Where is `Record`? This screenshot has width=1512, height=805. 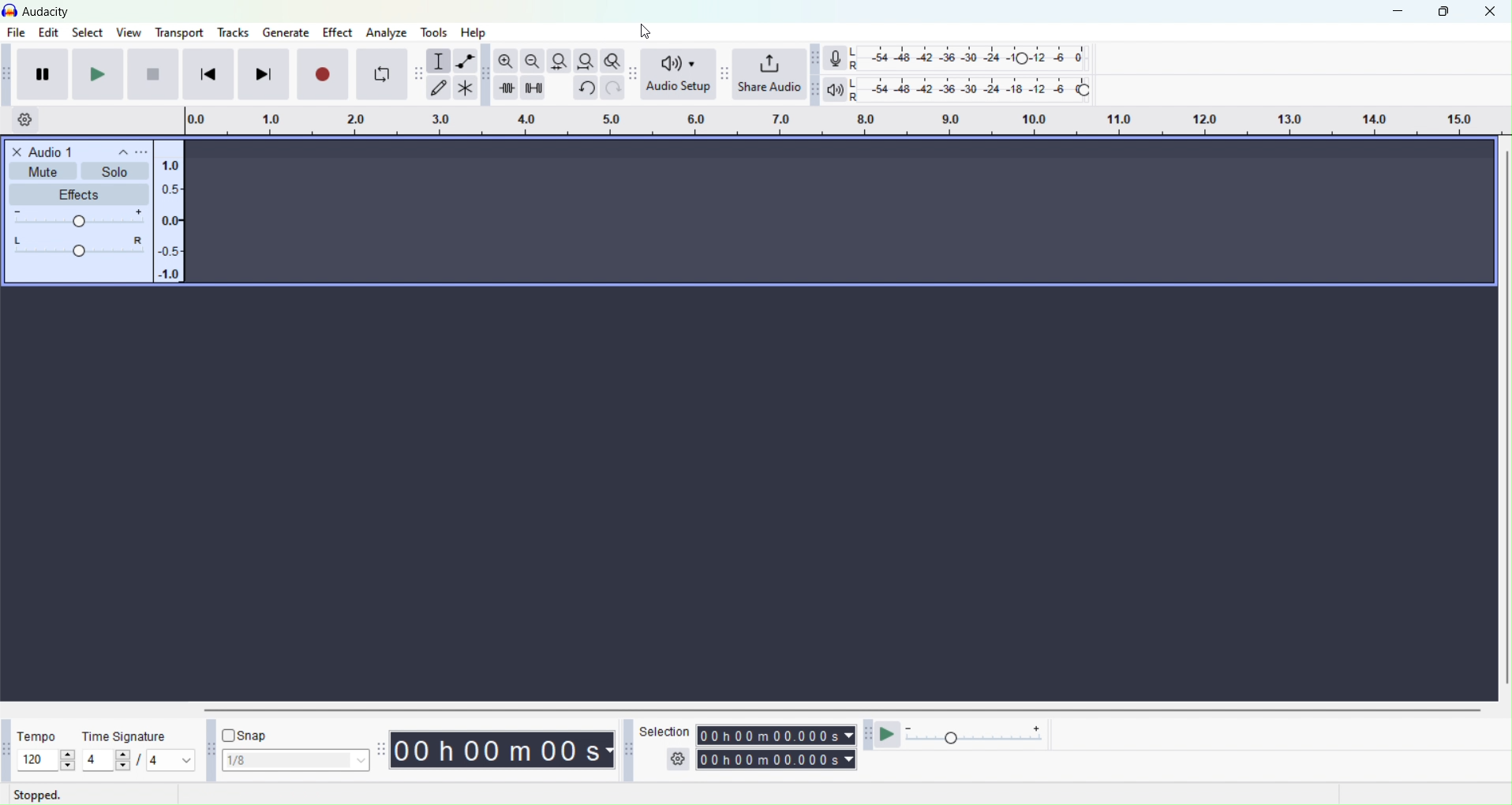
Record is located at coordinates (327, 73).